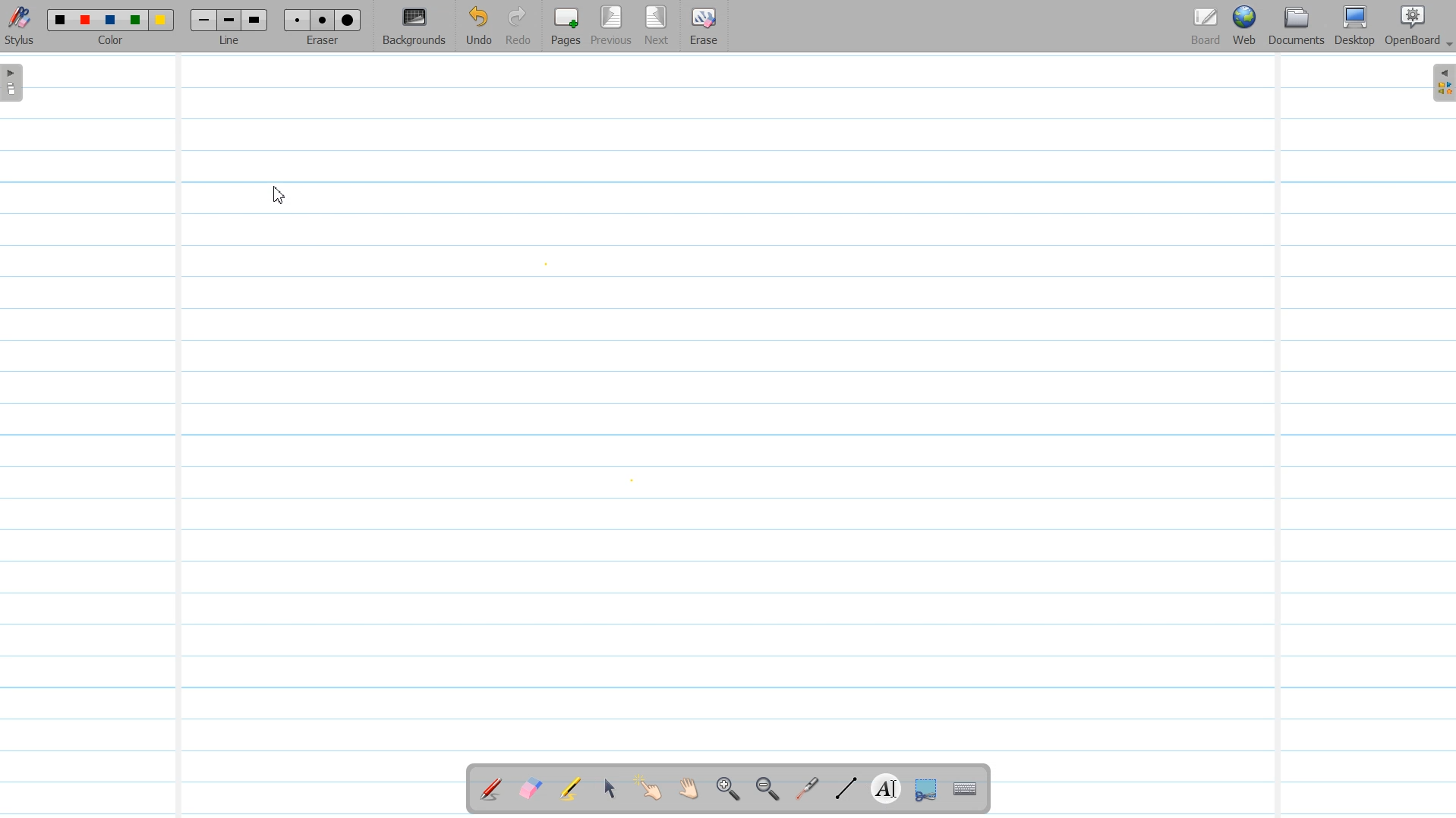 The width and height of the screenshot is (1456, 818). What do you see at coordinates (1205, 27) in the screenshot?
I see `Board` at bounding box center [1205, 27].